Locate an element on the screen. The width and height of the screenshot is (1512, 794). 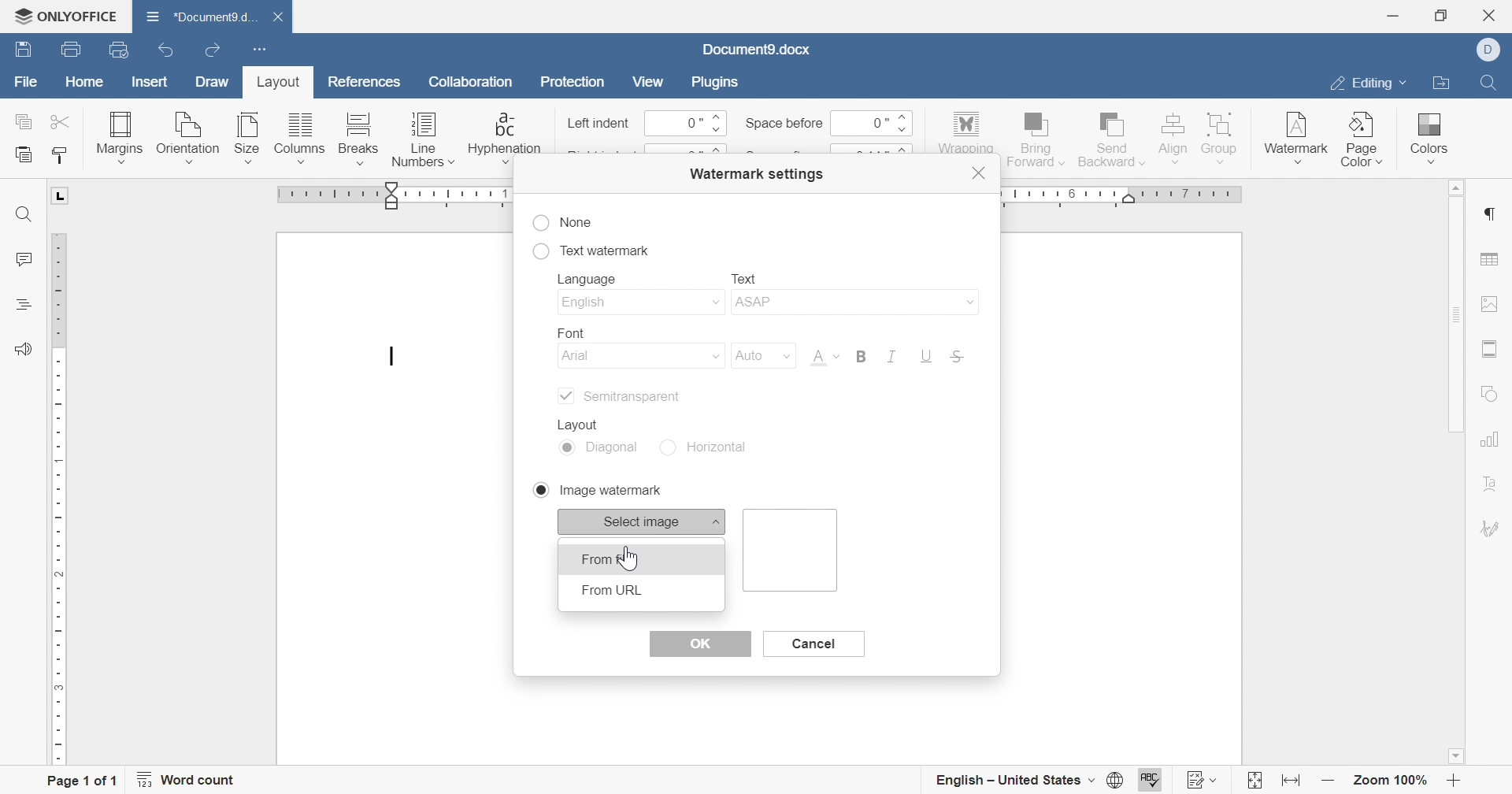
fit to width is located at coordinates (1288, 784).